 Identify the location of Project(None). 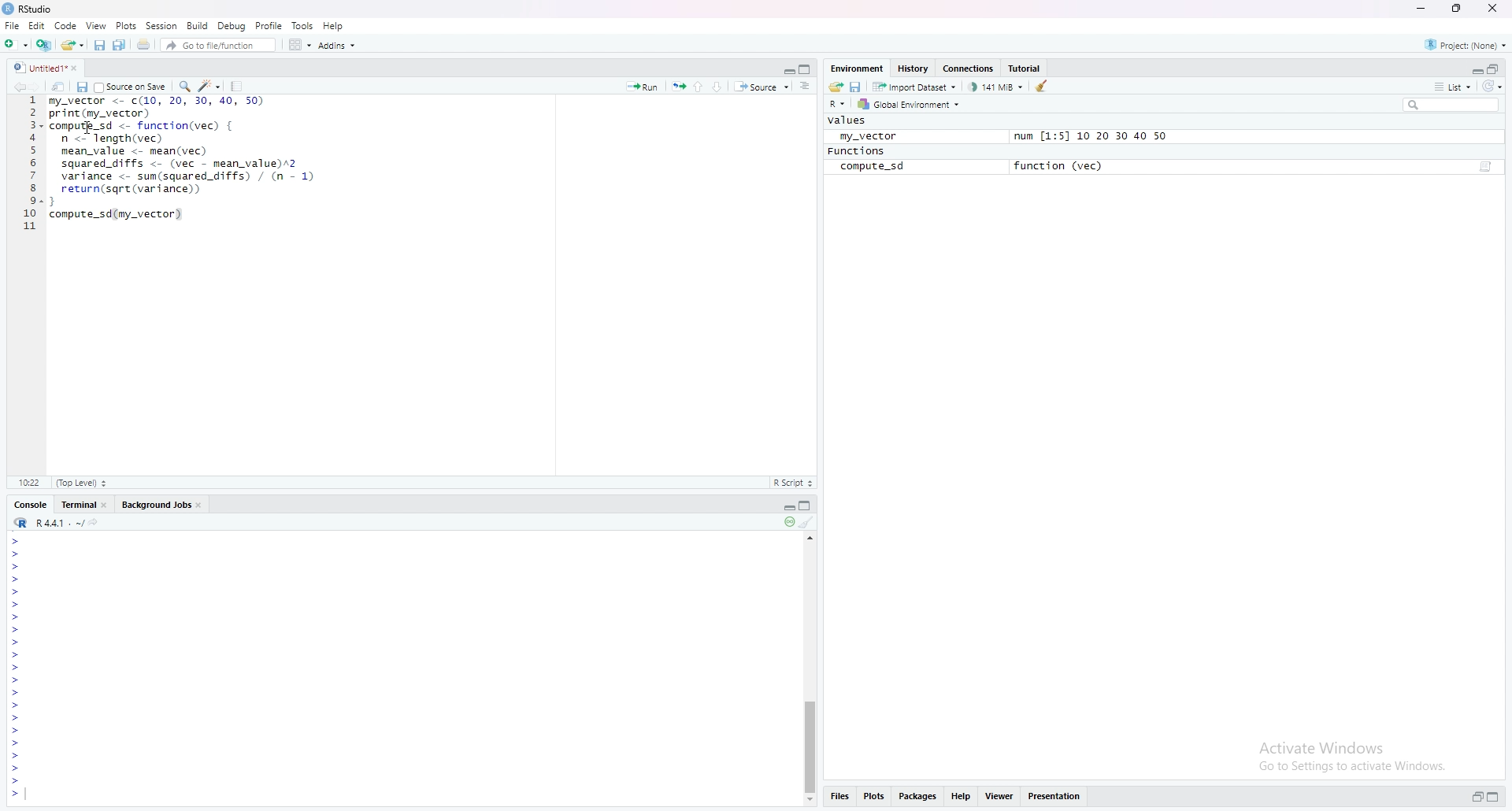
(1465, 43).